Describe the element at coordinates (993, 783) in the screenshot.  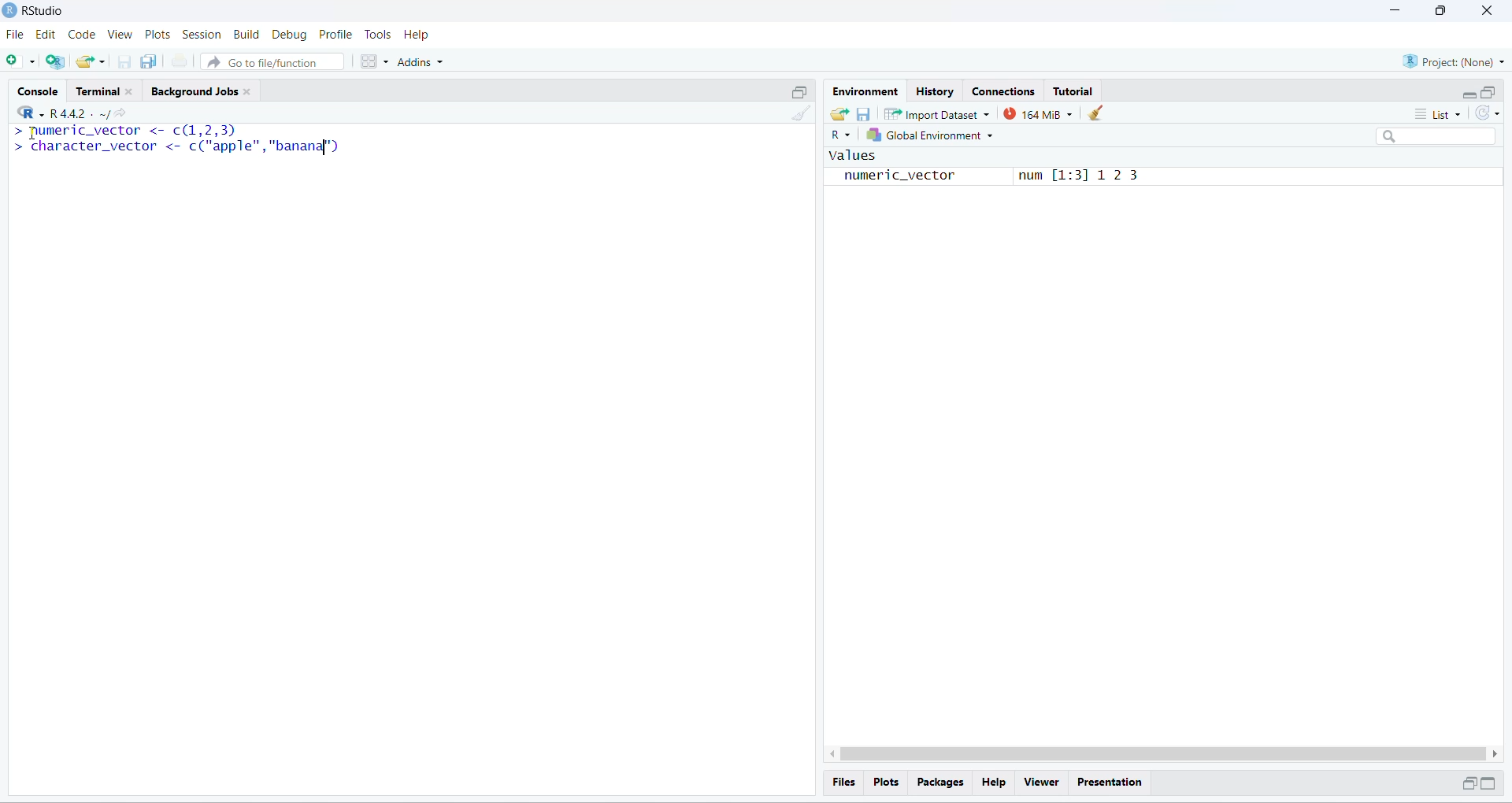
I see `Help` at that location.